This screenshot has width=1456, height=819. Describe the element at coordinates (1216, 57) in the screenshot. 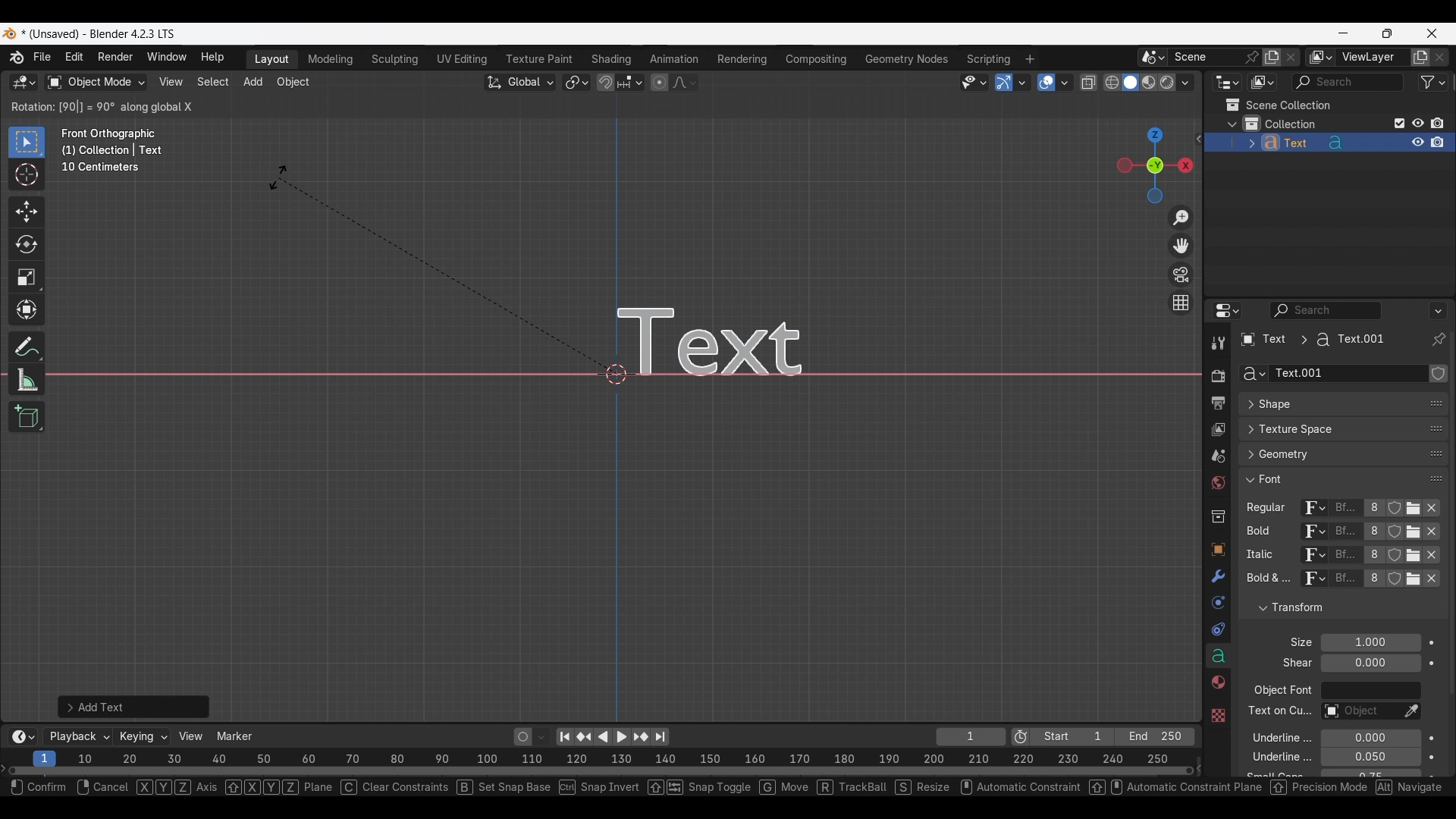

I see `Pin scene to workspace` at that location.